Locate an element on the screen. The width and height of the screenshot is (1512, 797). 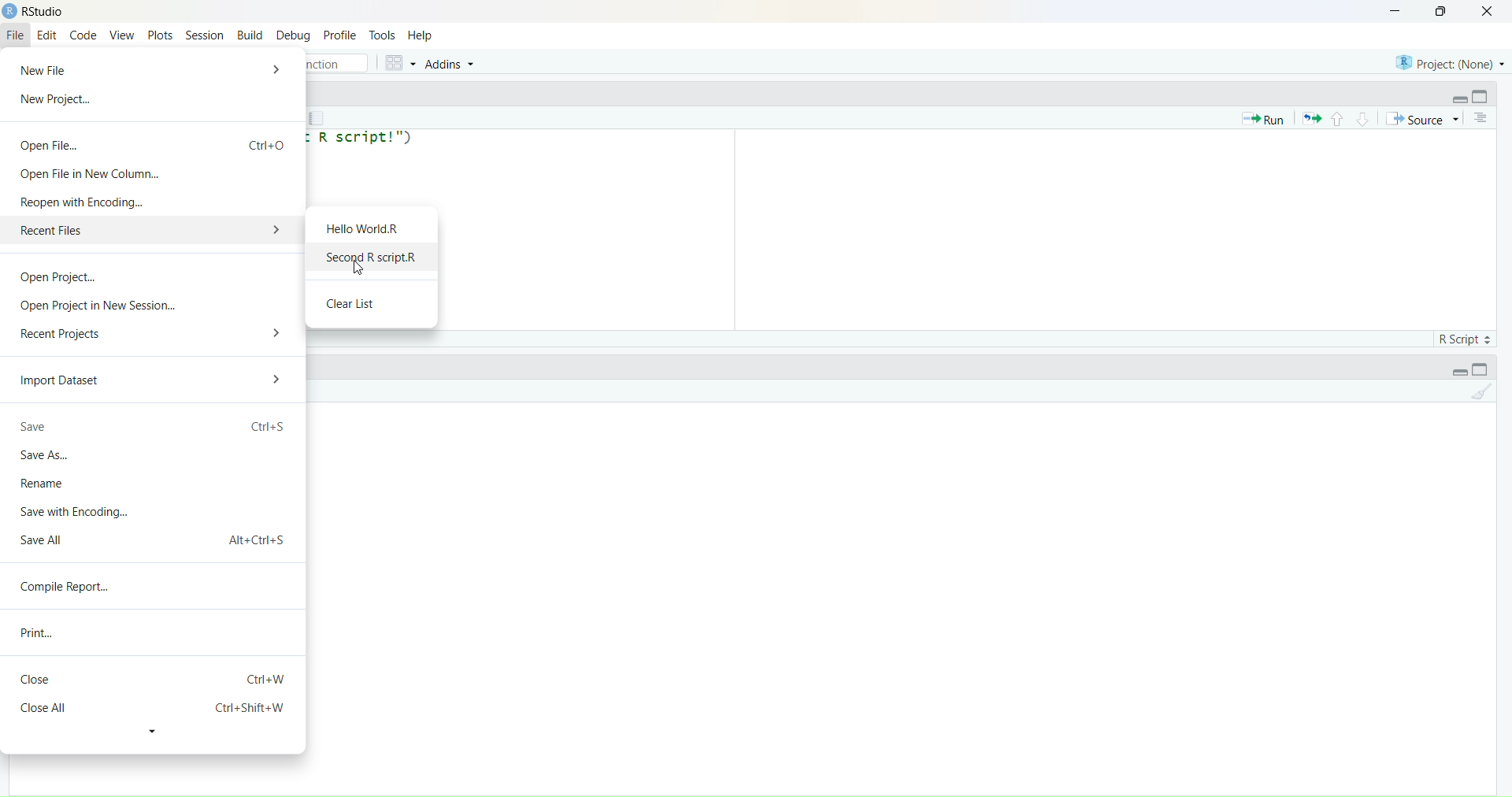
More is located at coordinates (279, 69).